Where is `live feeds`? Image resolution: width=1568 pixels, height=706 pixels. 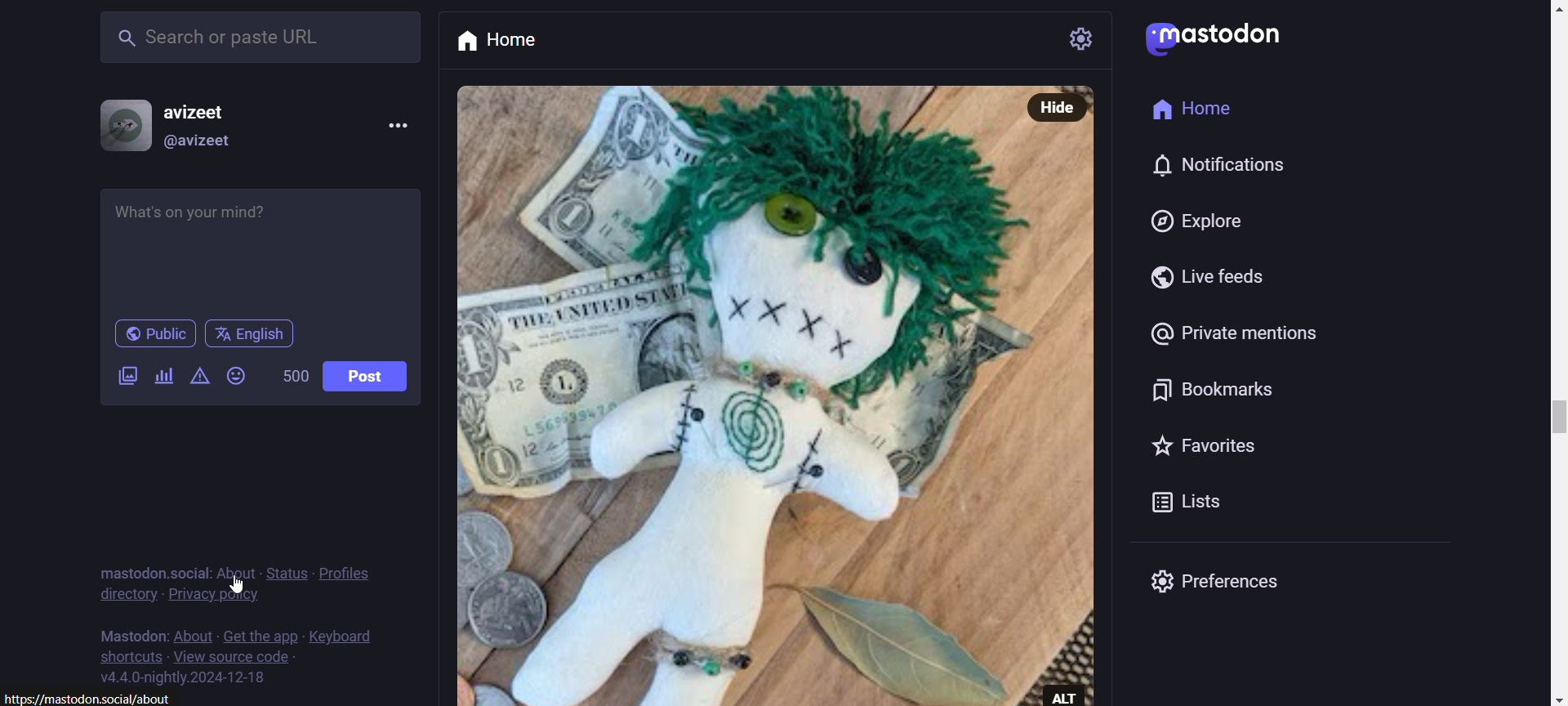 live feeds is located at coordinates (1205, 280).